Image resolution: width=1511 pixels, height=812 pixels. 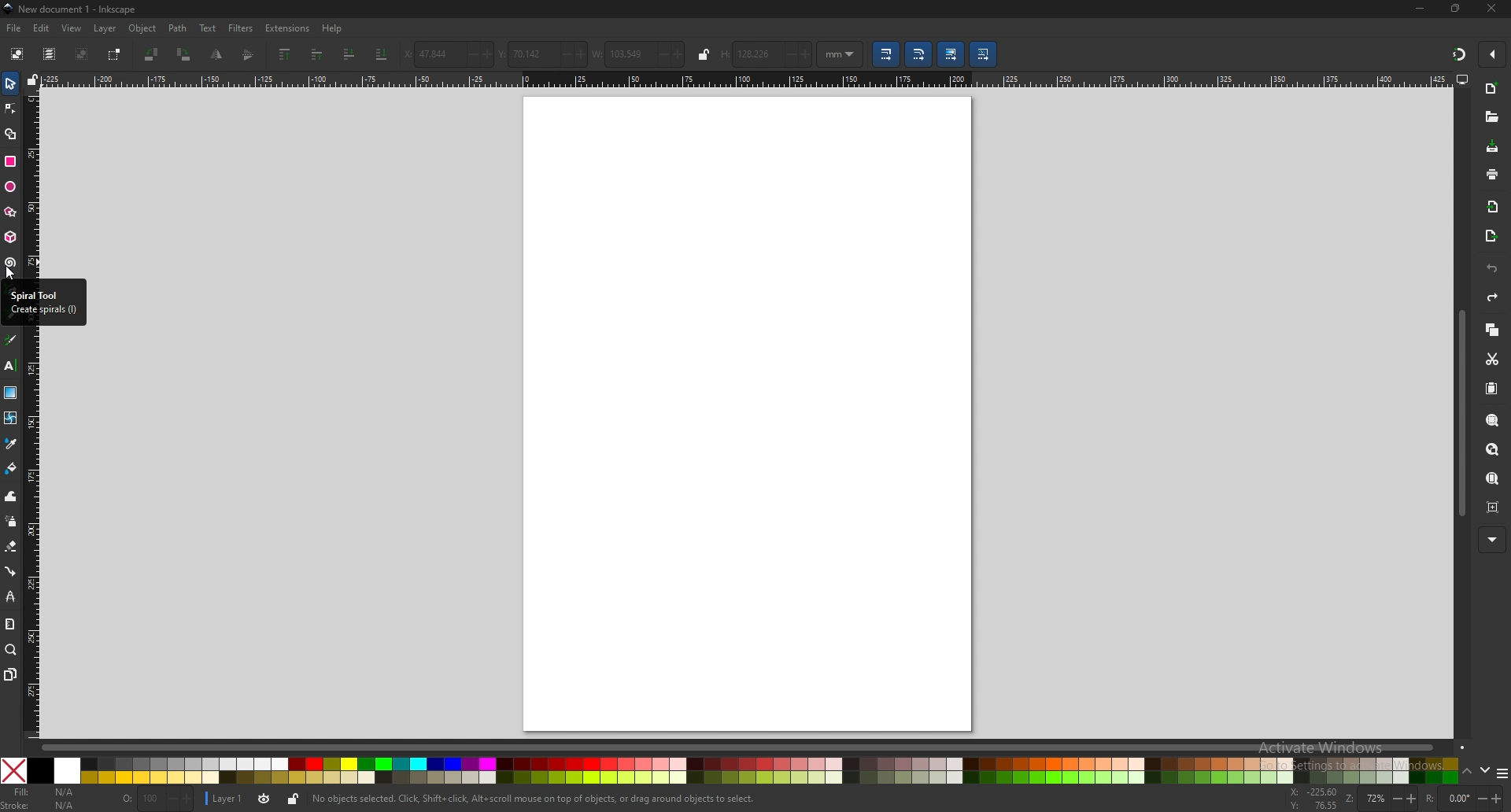 What do you see at coordinates (10, 468) in the screenshot?
I see `paint bucket` at bounding box center [10, 468].